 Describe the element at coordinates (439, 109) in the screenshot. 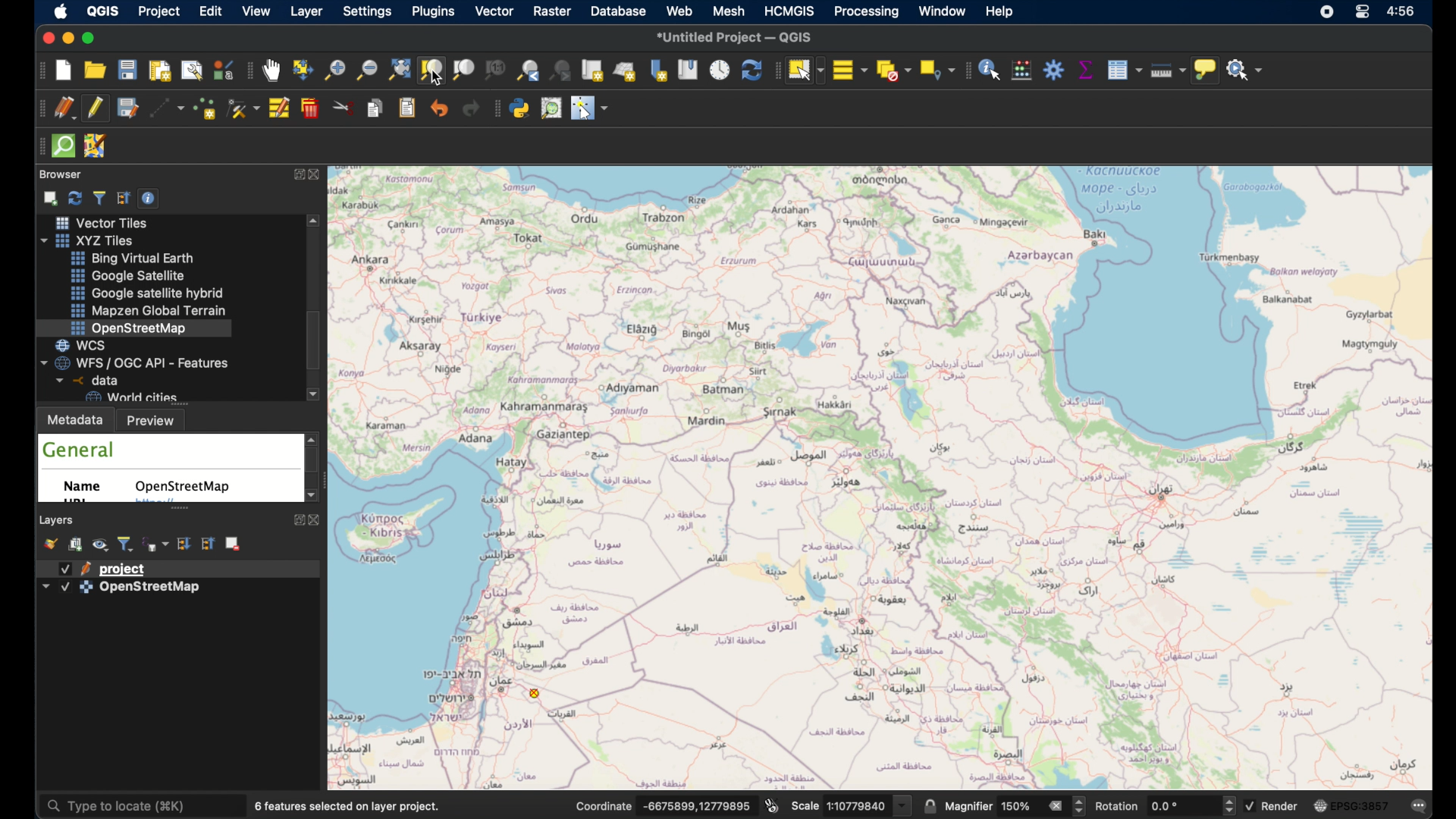

I see `undo` at that location.